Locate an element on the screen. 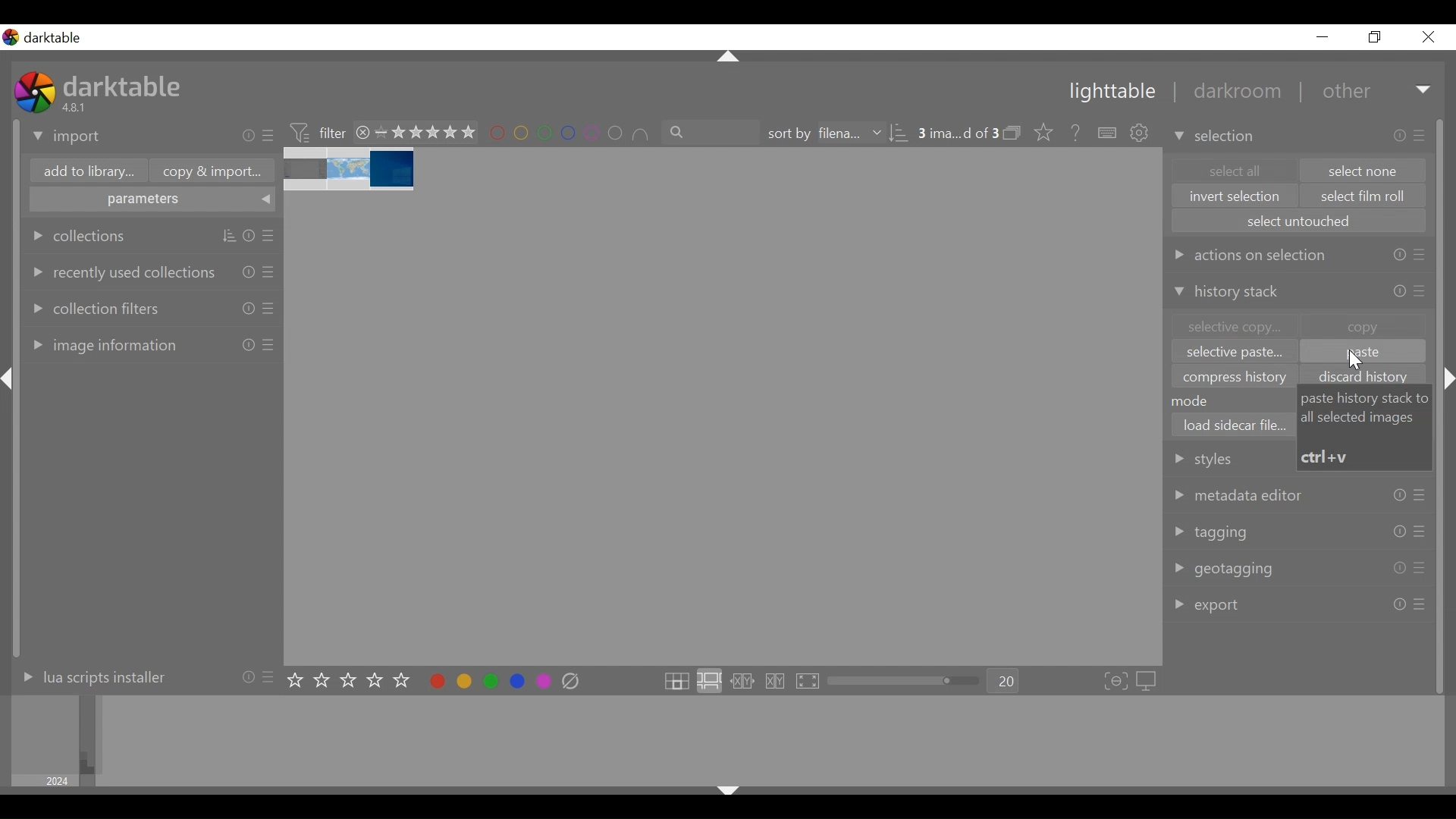 This screenshot has width=1456, height=819. show global preferences is located at coordinates (1141, 134).